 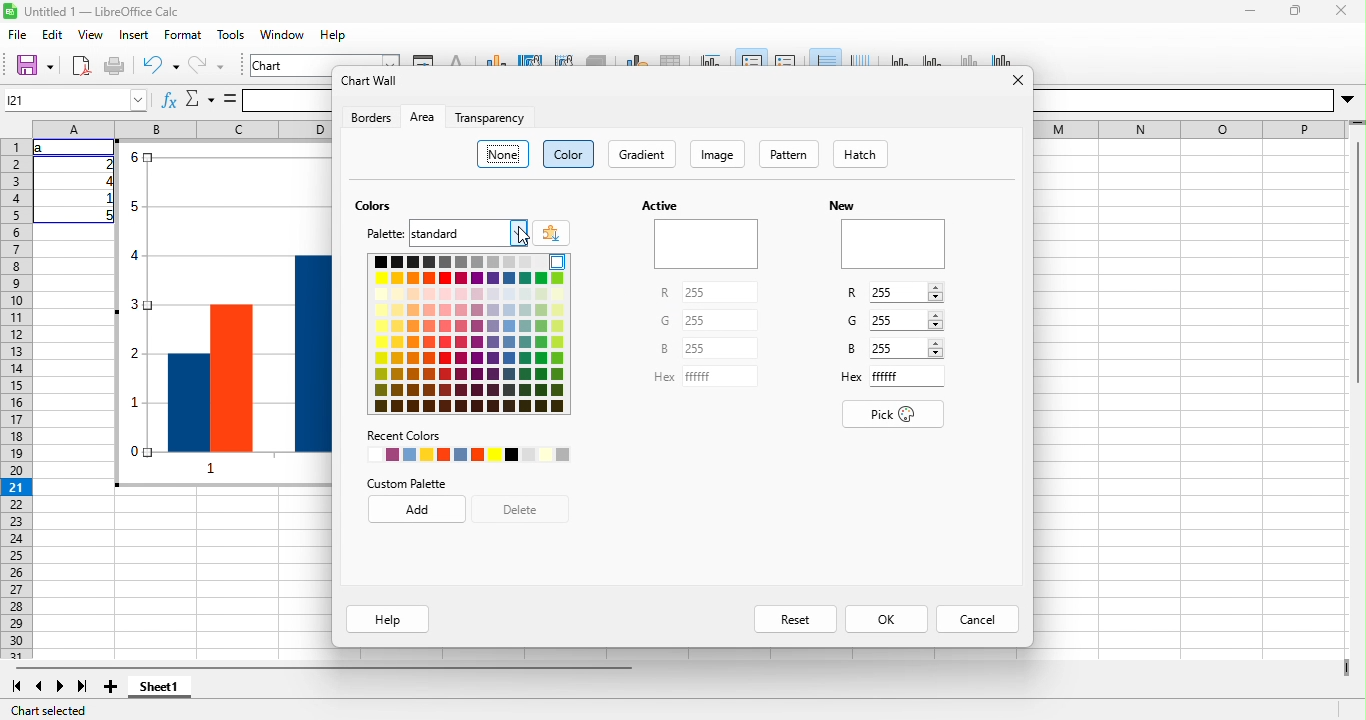 I want to click on More options, so click(x=1347, y=100).